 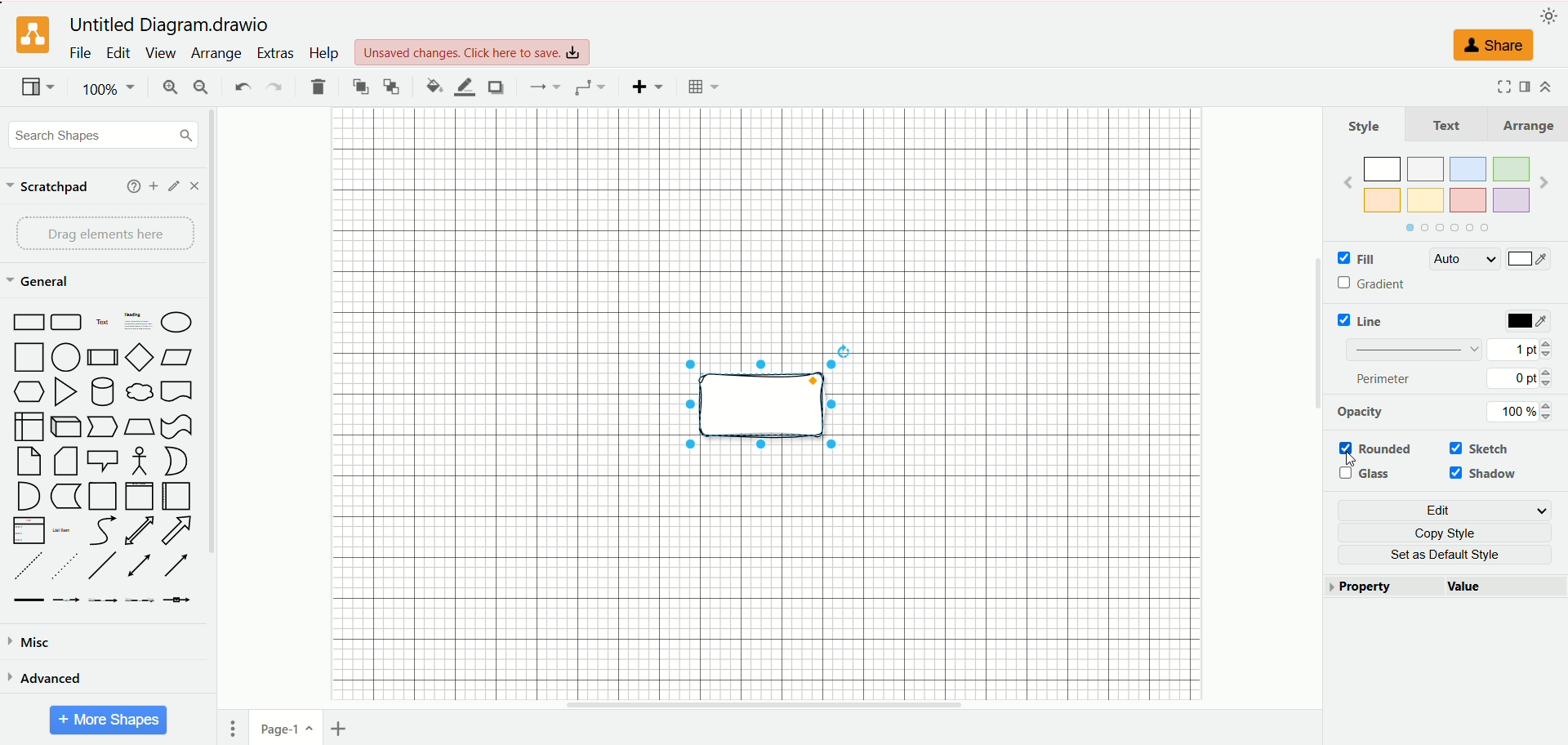 I want to click on pattern, so click(x=1414, y=348).